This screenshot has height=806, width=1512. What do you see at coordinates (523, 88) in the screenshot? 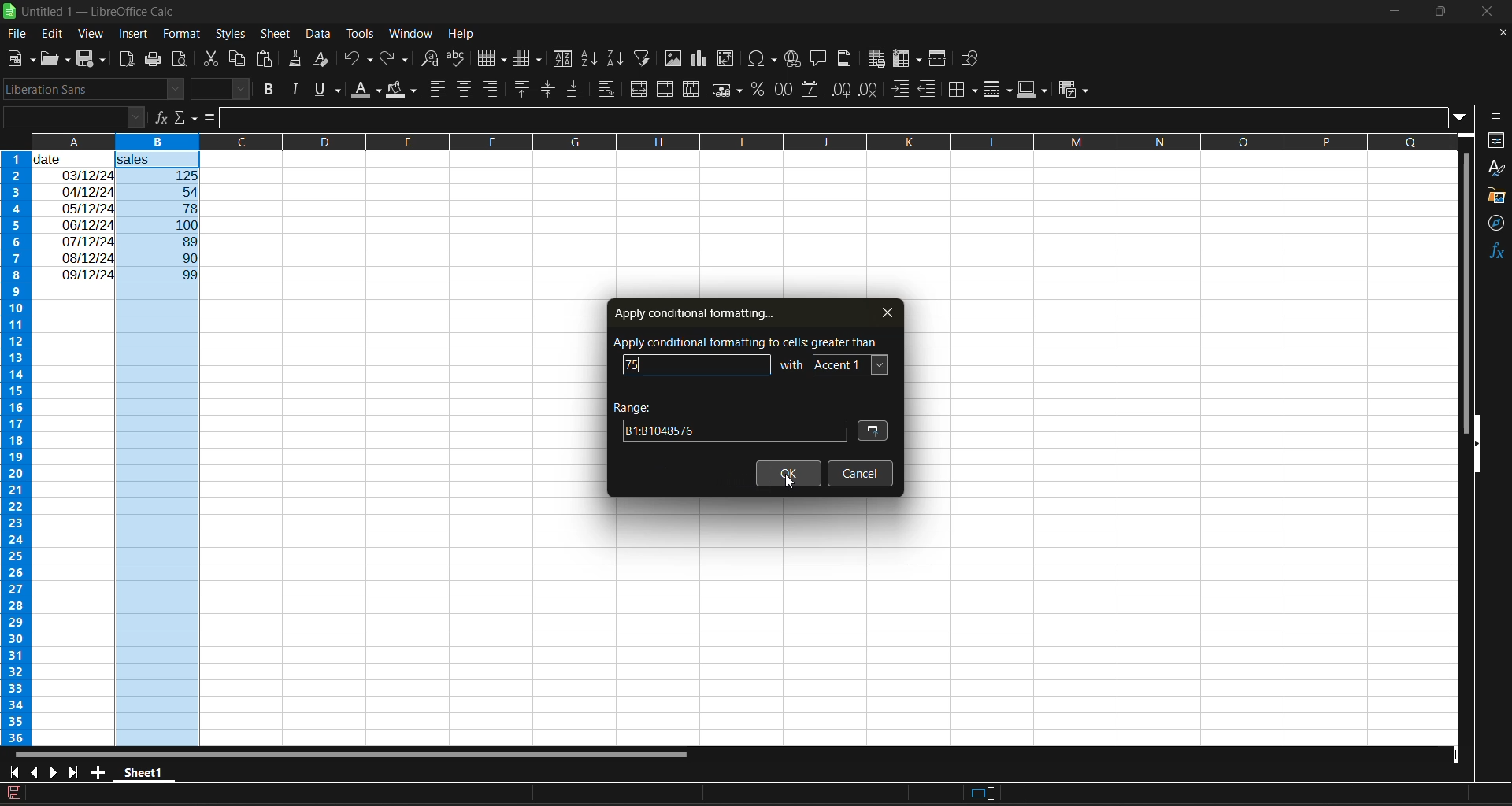
I see `align top` at bounding box center [523, 88].